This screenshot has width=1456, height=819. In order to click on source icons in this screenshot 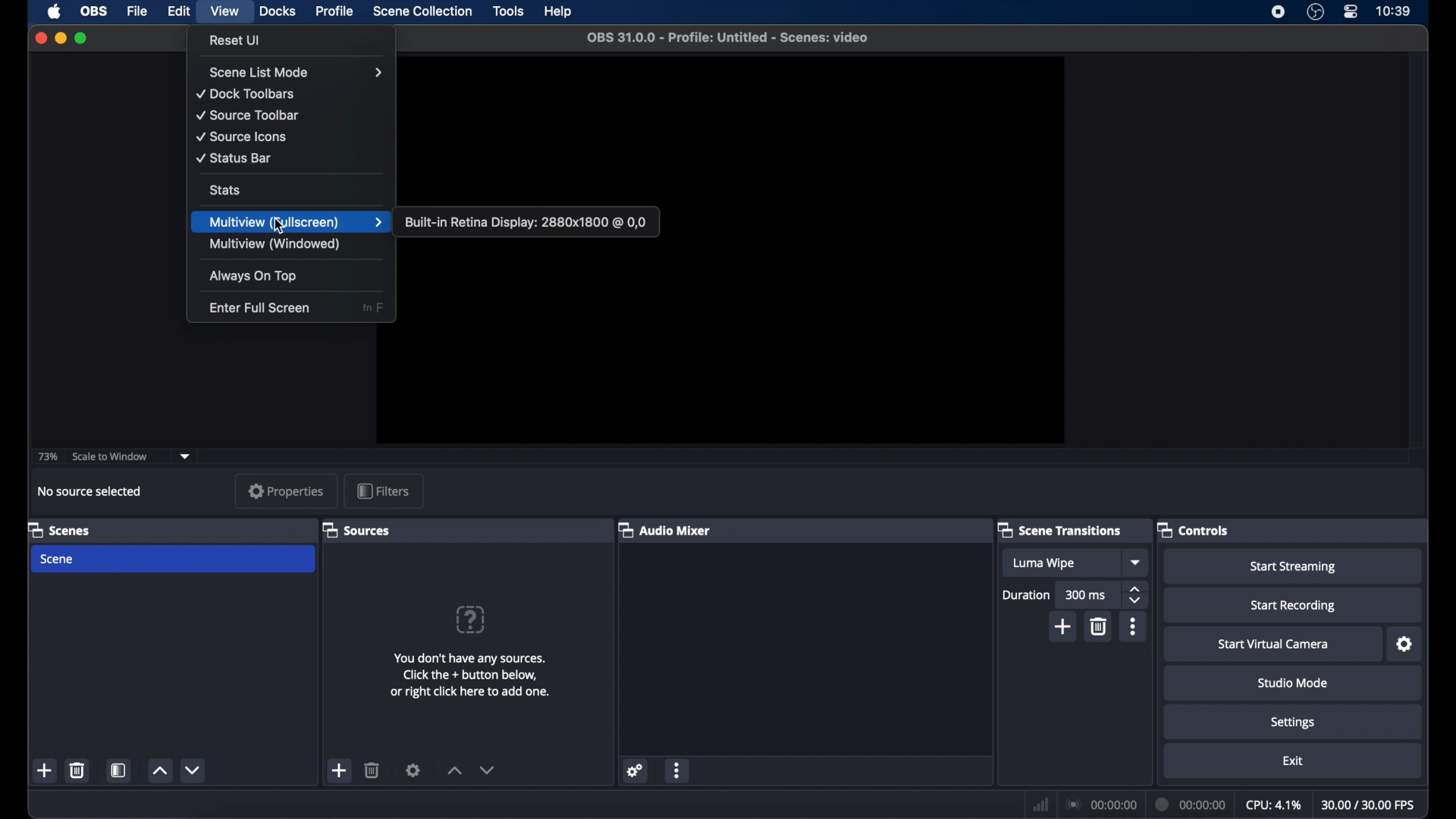, I will do `click(242, 137)`.